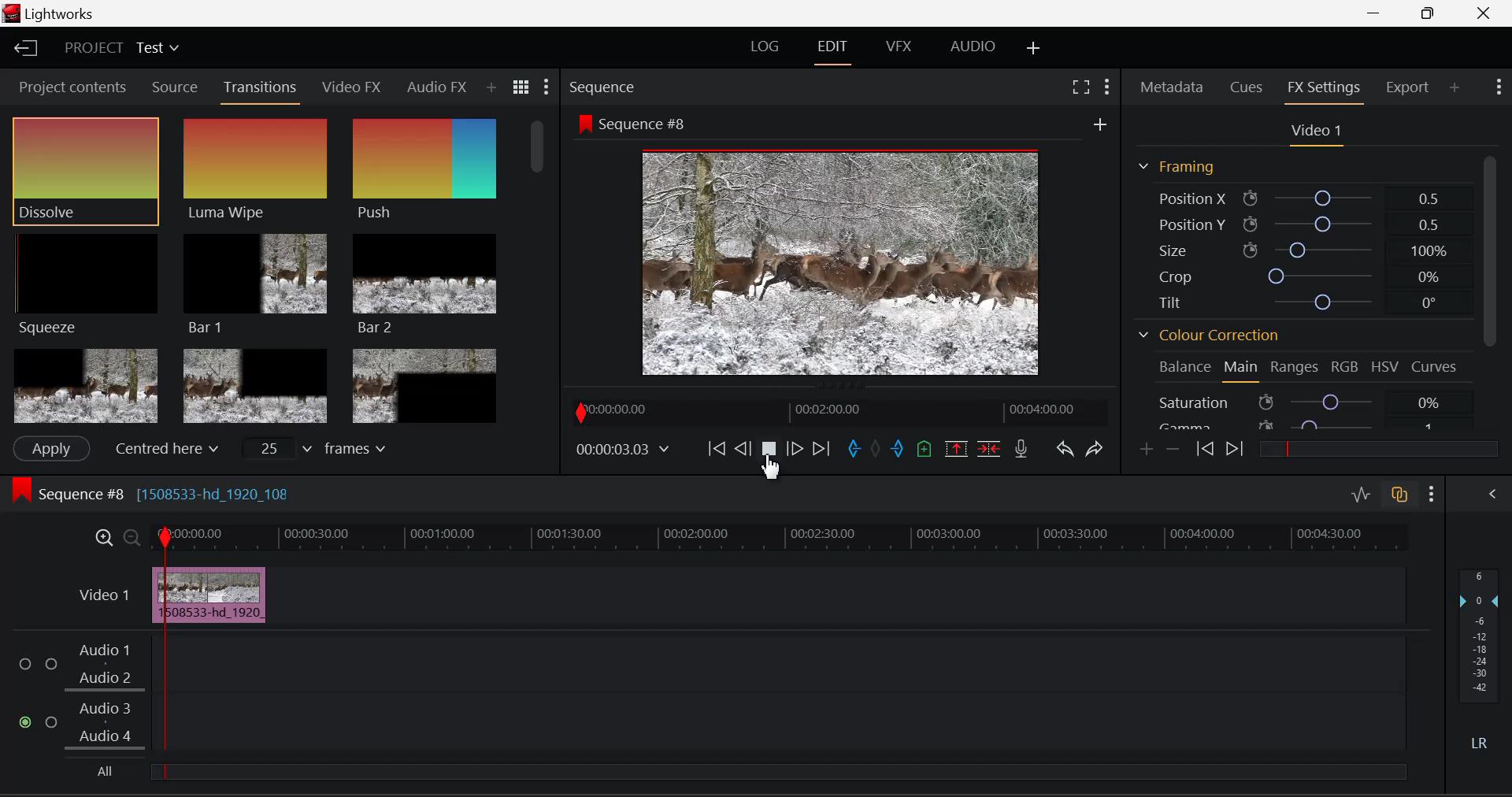 The image size is (1512, 797). I want to click on Mark Cue, so click(923, 450).